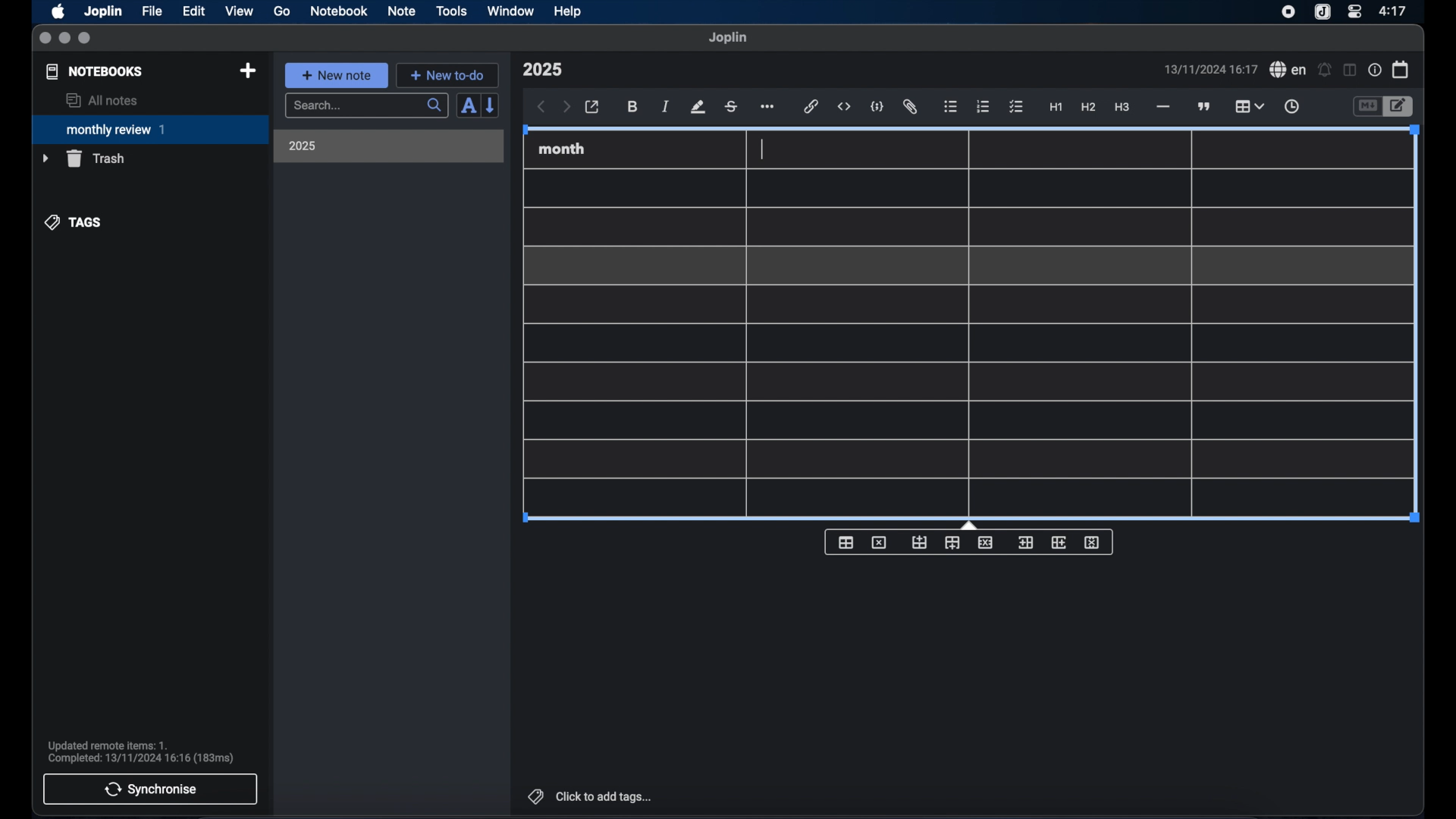  Describe the element at coordinates (339, 11) in the screenshot. I see `notebook` at that location.